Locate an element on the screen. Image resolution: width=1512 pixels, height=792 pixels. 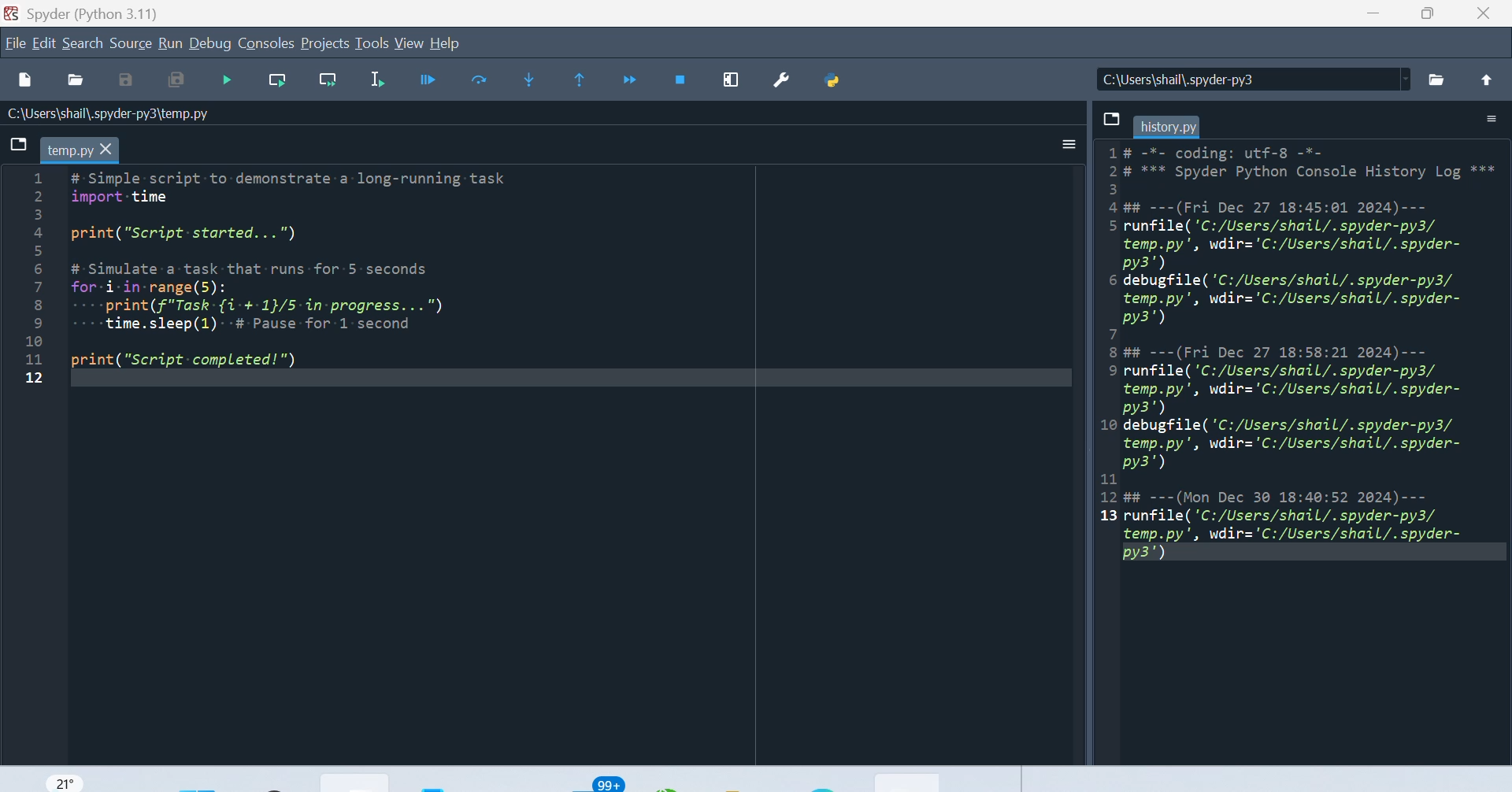
Save all is located at coordinates (186, 80).